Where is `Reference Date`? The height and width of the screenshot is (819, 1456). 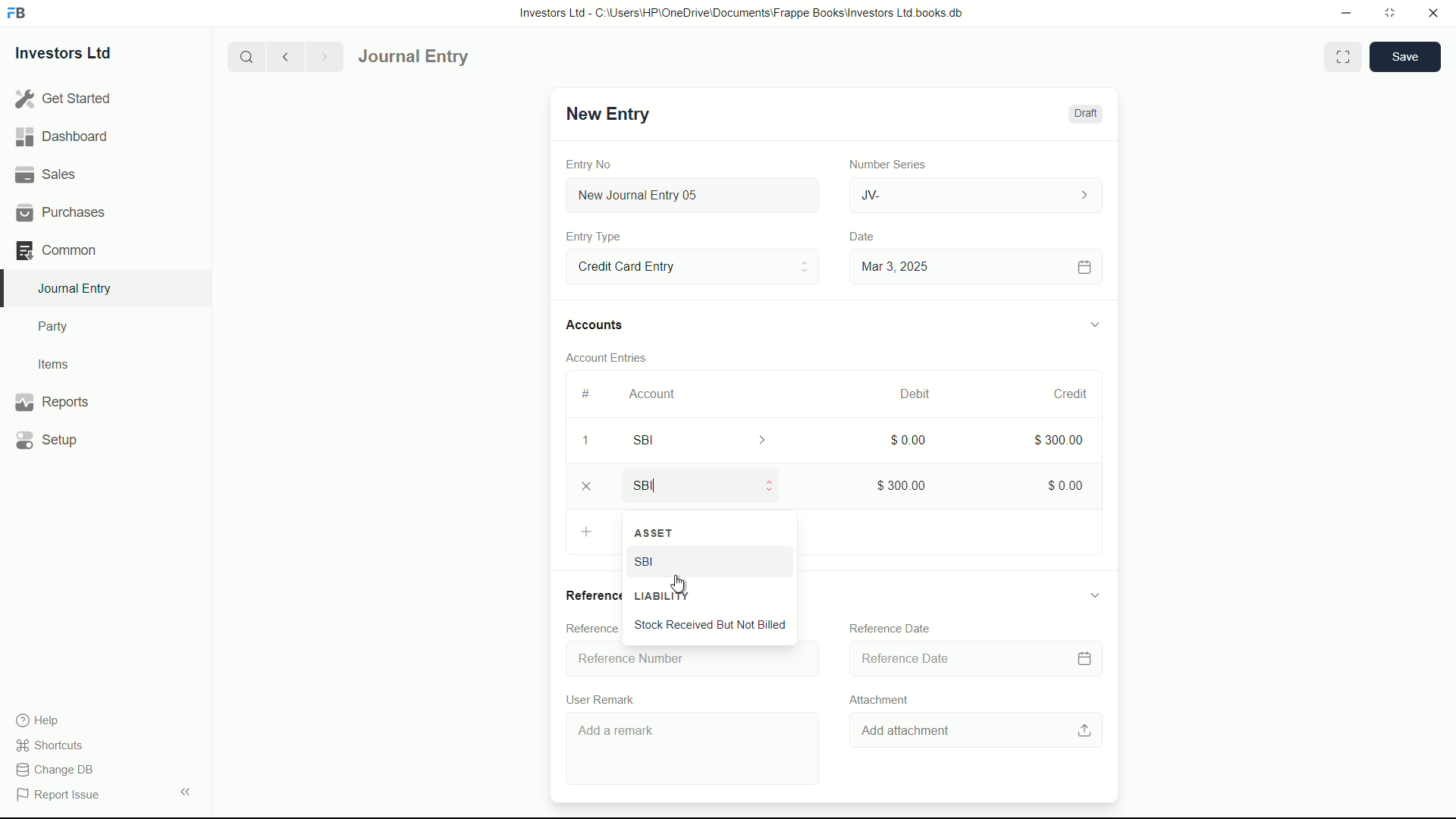
Reference Date is located at coordinates (971, 660).